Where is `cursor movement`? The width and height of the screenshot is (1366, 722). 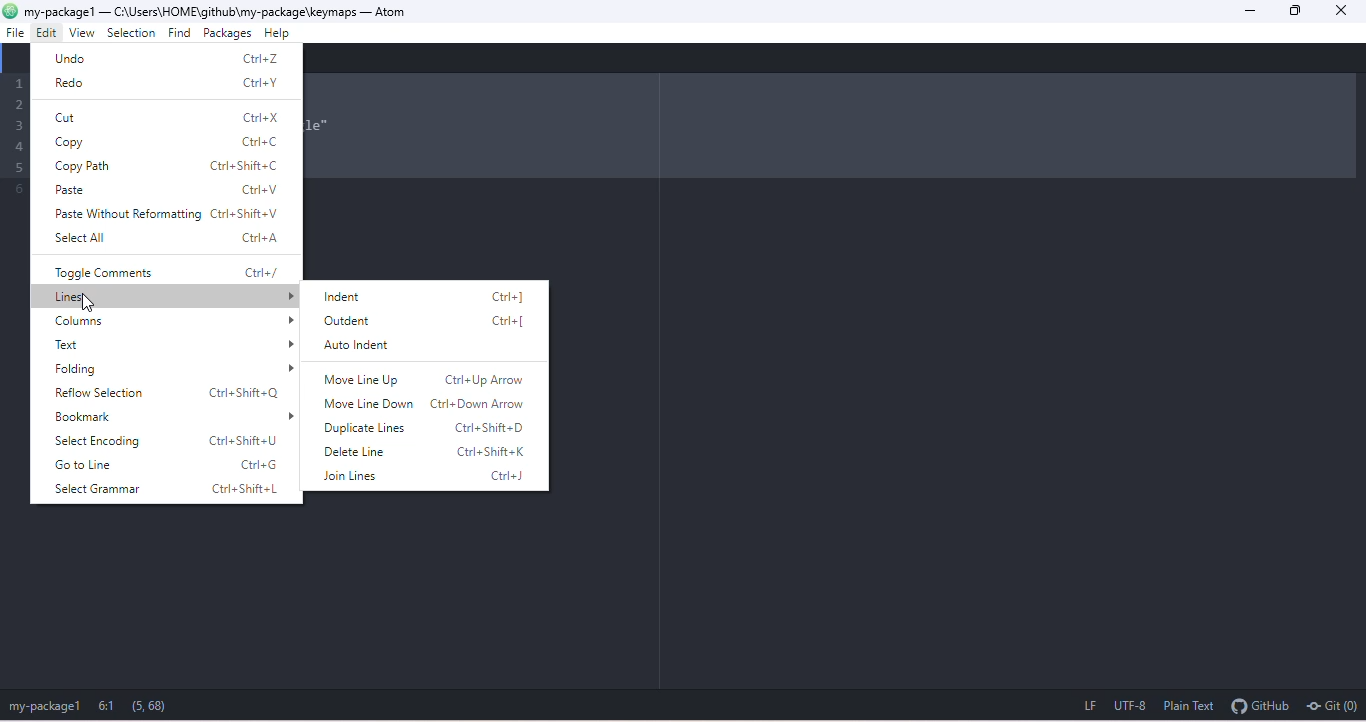
cursor movement is located at coordinates (108, 305).